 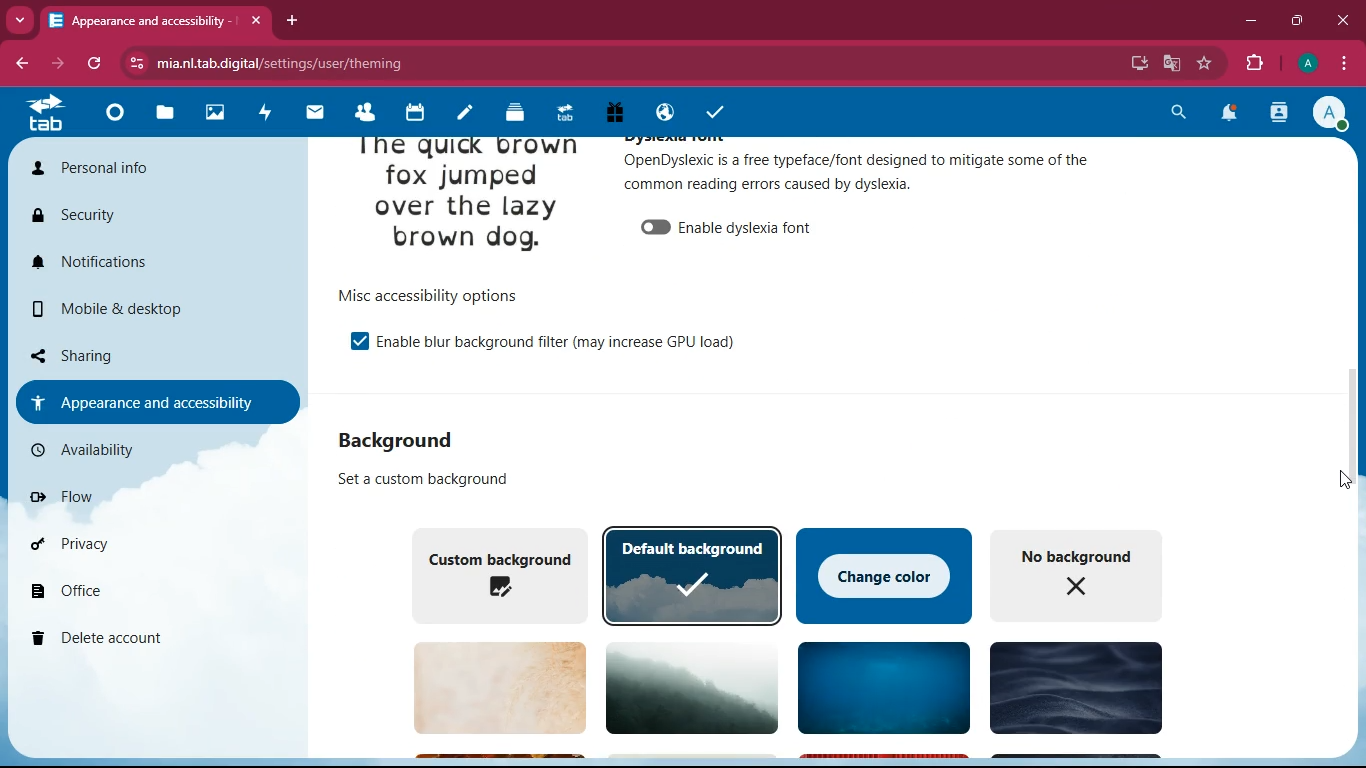 I want to click on gift, so click(x=613, y=112).